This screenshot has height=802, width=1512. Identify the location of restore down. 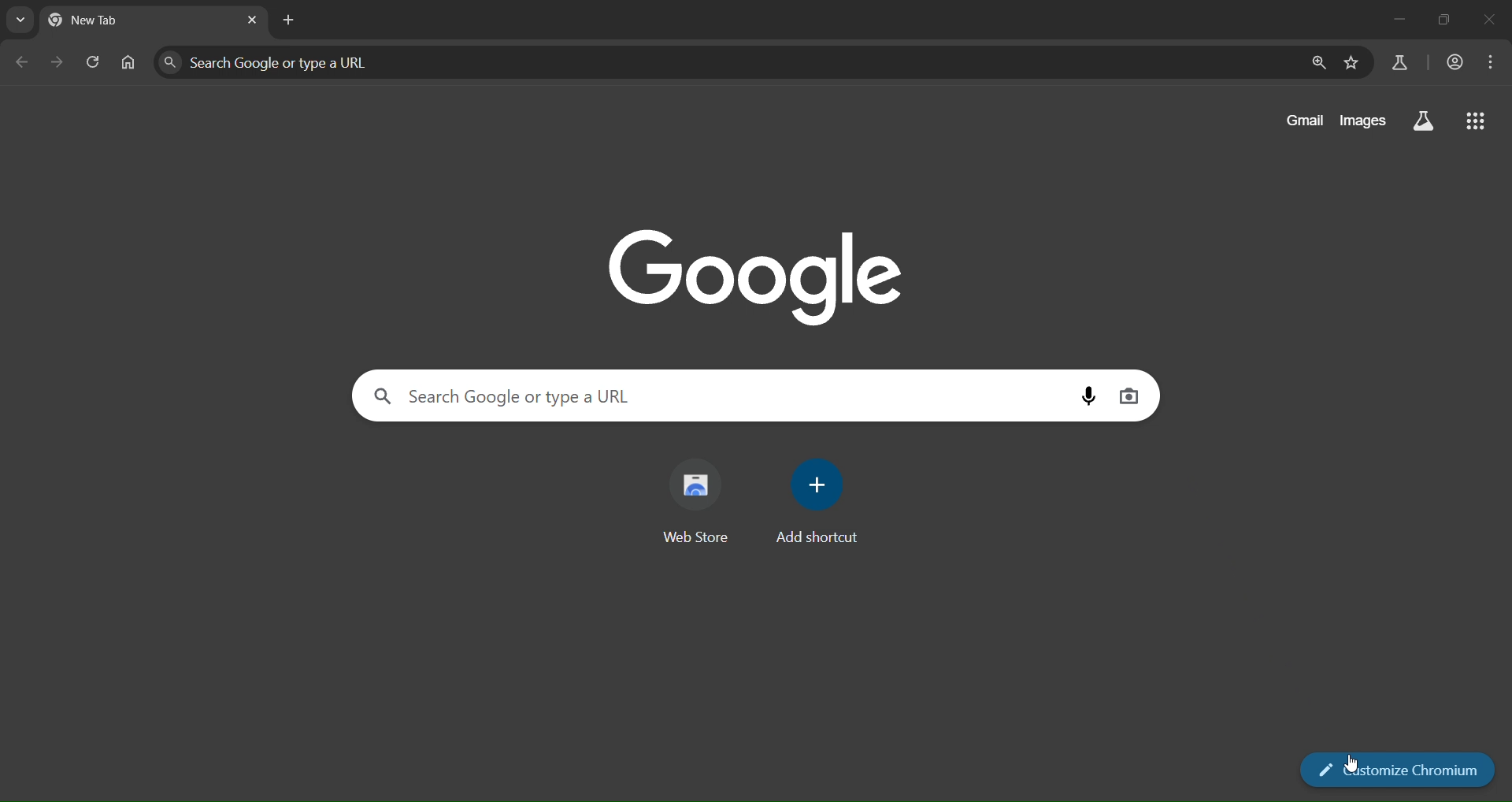
(1445, 20).